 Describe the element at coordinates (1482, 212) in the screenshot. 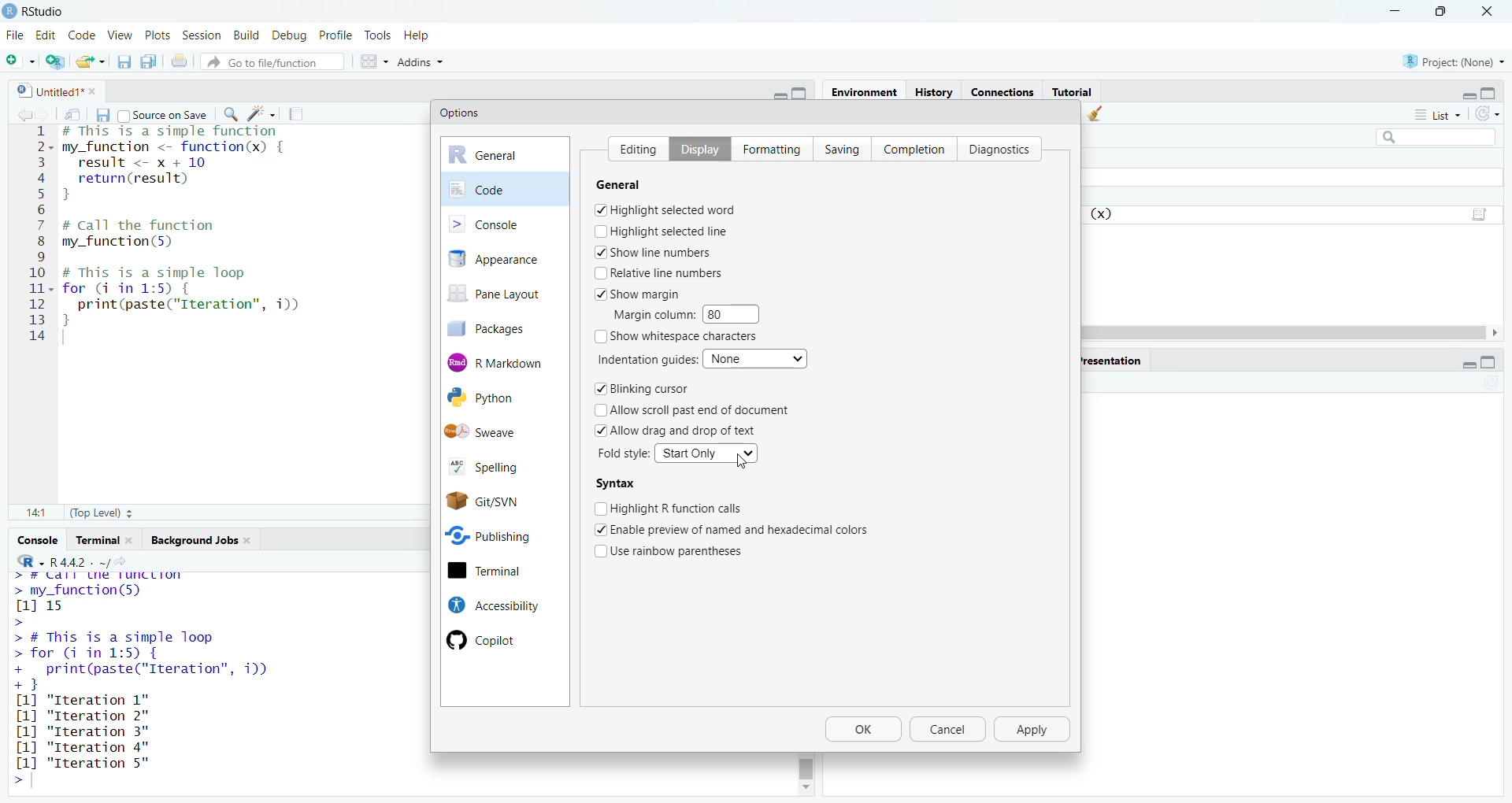

I see `script` at that location.